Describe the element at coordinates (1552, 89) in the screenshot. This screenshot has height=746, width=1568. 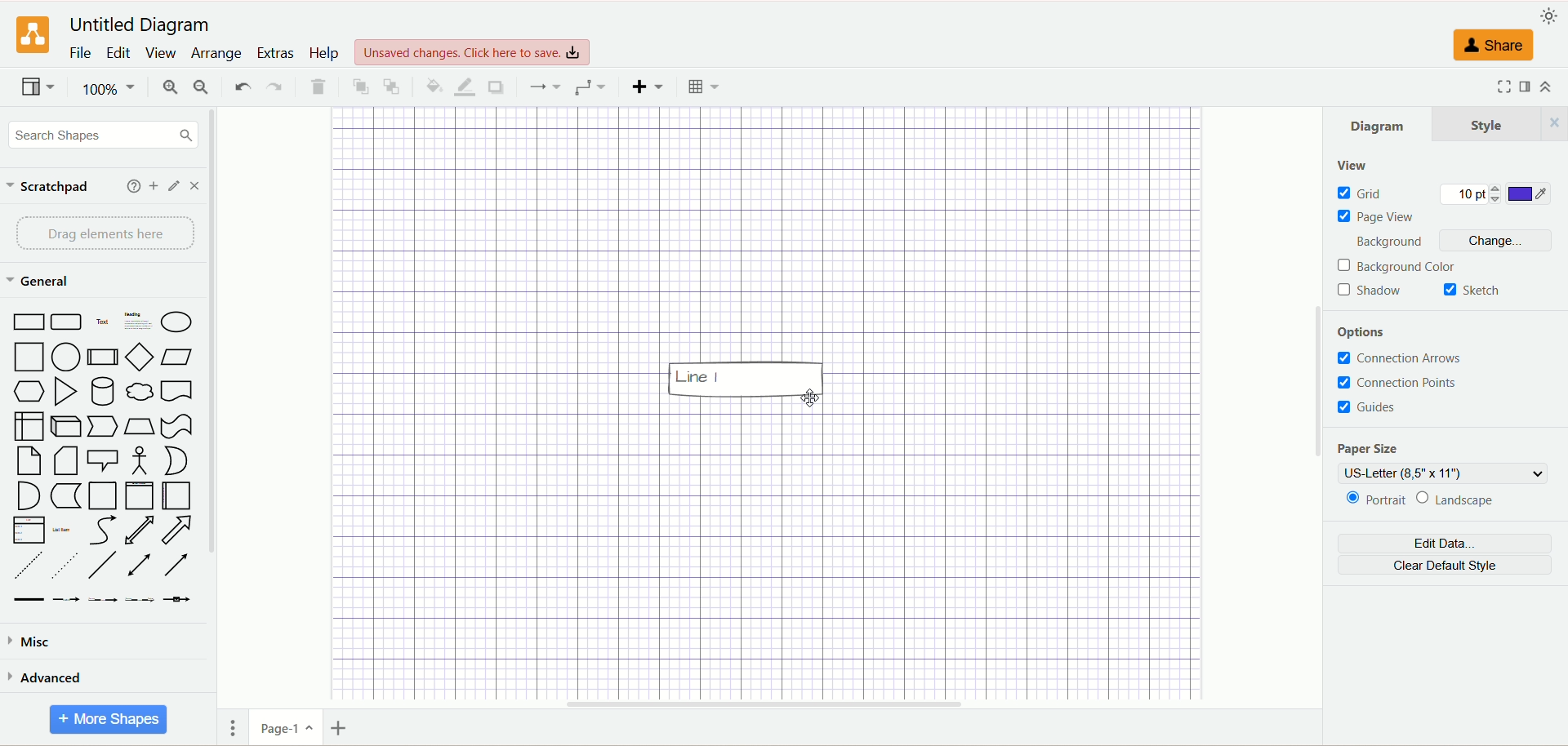
I see `collapse/expand` at that location.